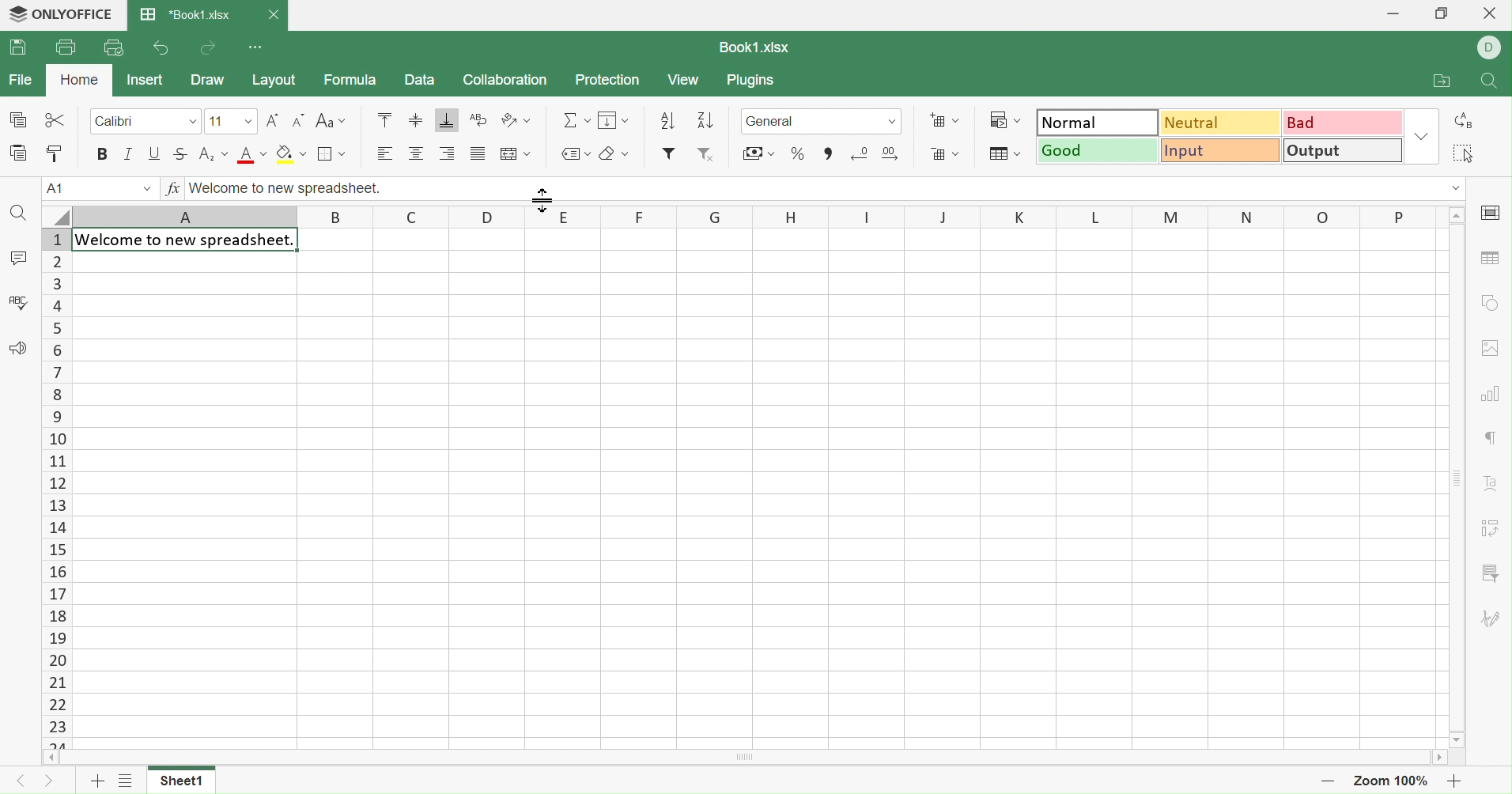  Describe the element at coordinates (383, 119) in the screenshot. I see `Align Top` at that location.